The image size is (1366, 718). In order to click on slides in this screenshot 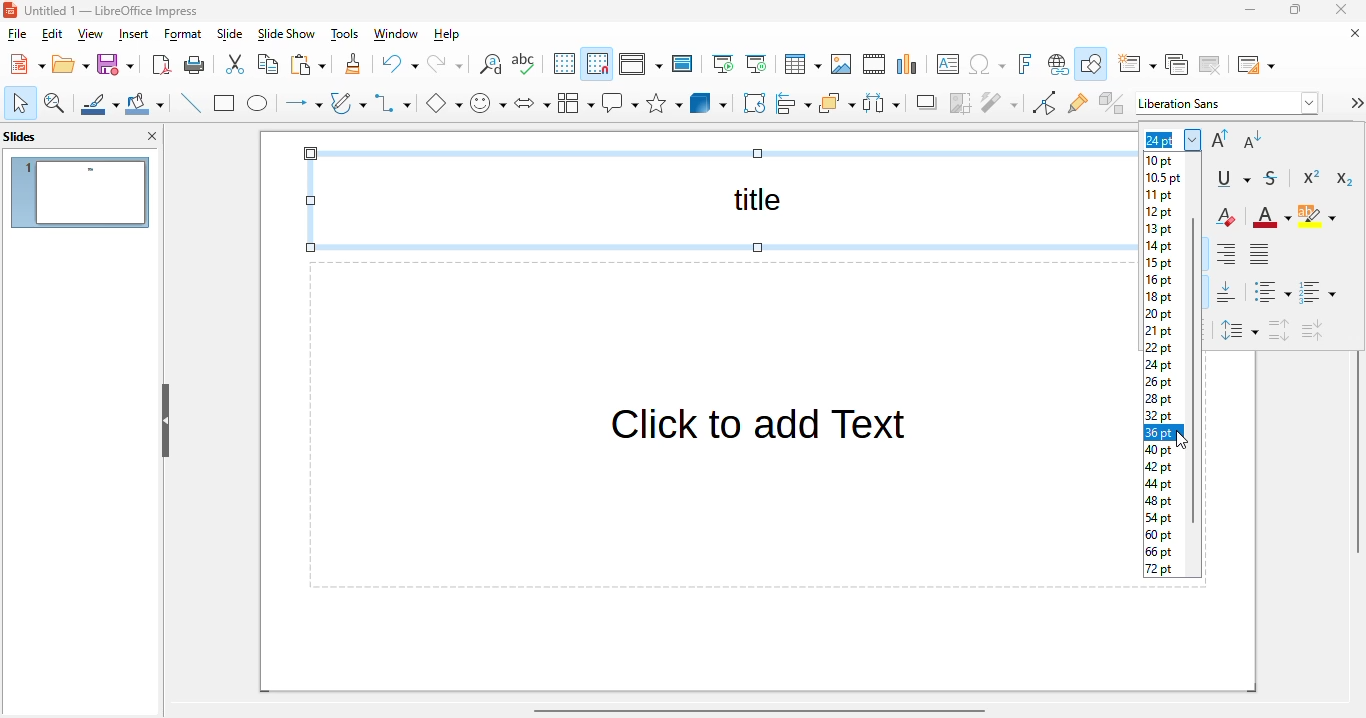, I will do `click(21, 137)`.